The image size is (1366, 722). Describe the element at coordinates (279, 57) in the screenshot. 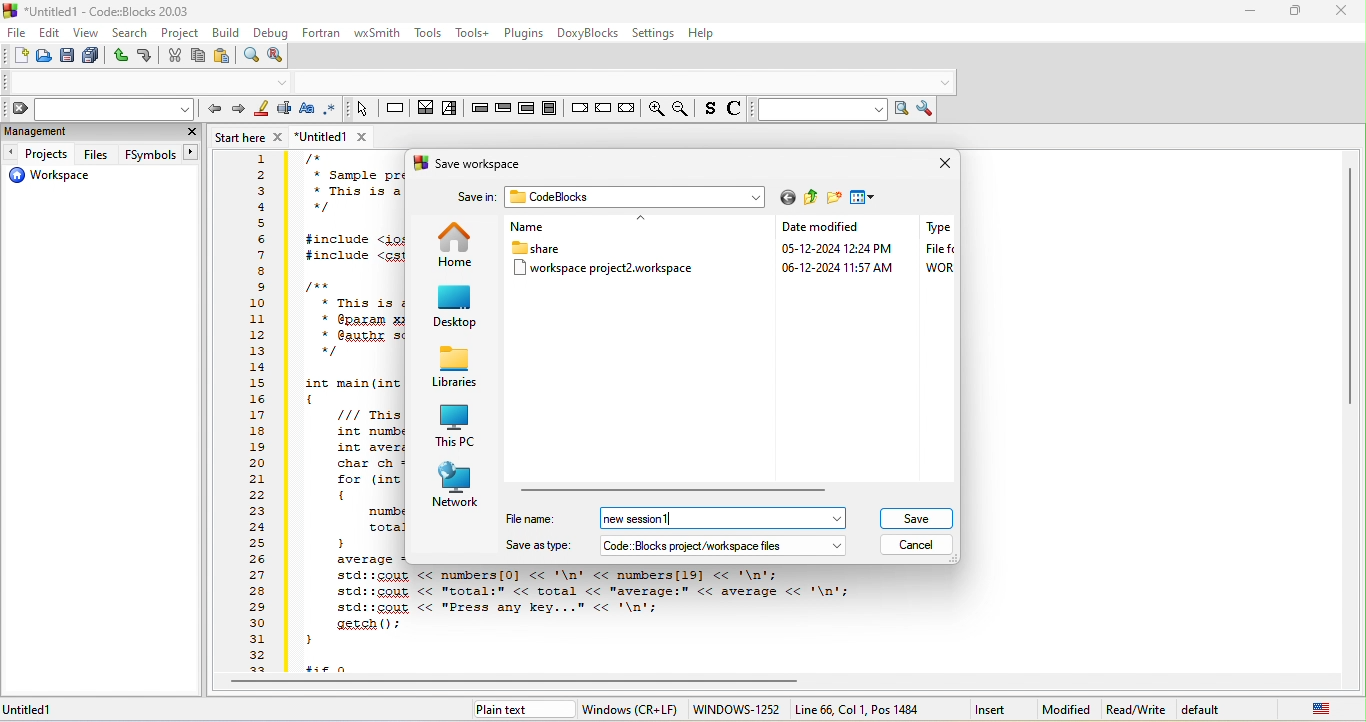

I see `replace` at that location.